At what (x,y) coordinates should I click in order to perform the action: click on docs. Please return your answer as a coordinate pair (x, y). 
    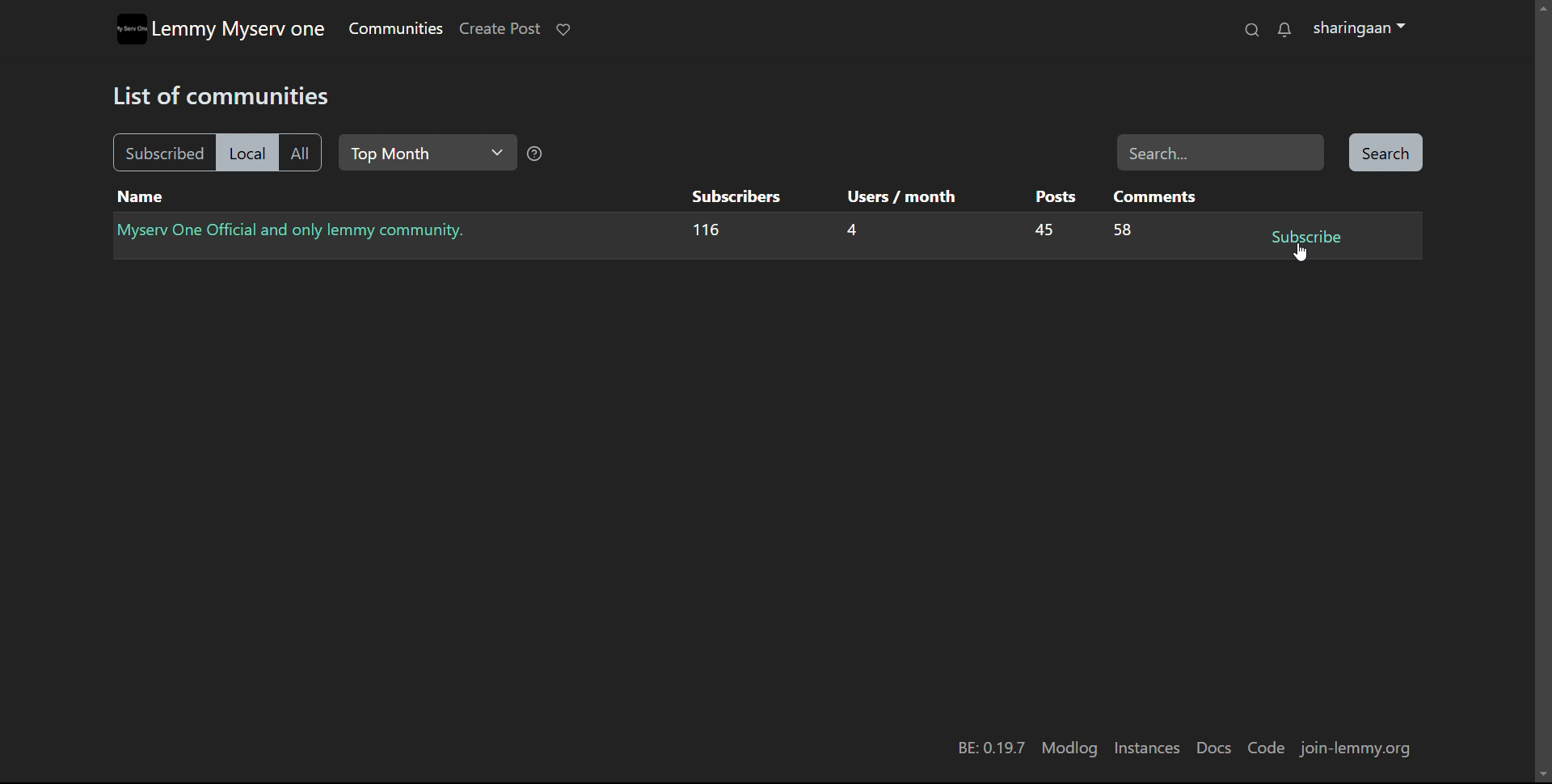
    Looking at the image, I should click on (1212, 748).